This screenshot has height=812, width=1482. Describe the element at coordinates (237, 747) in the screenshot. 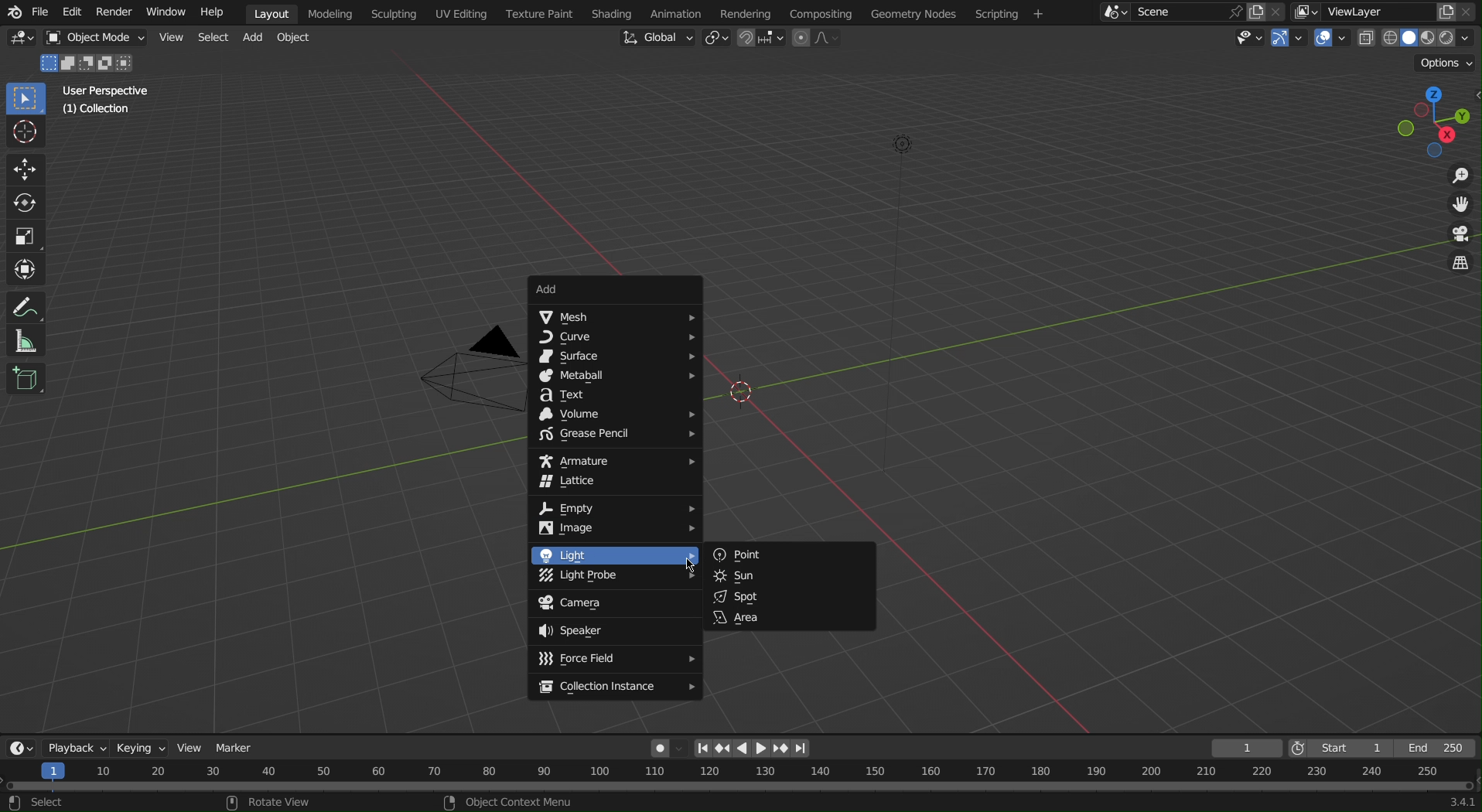

I see `Marker` at that location.